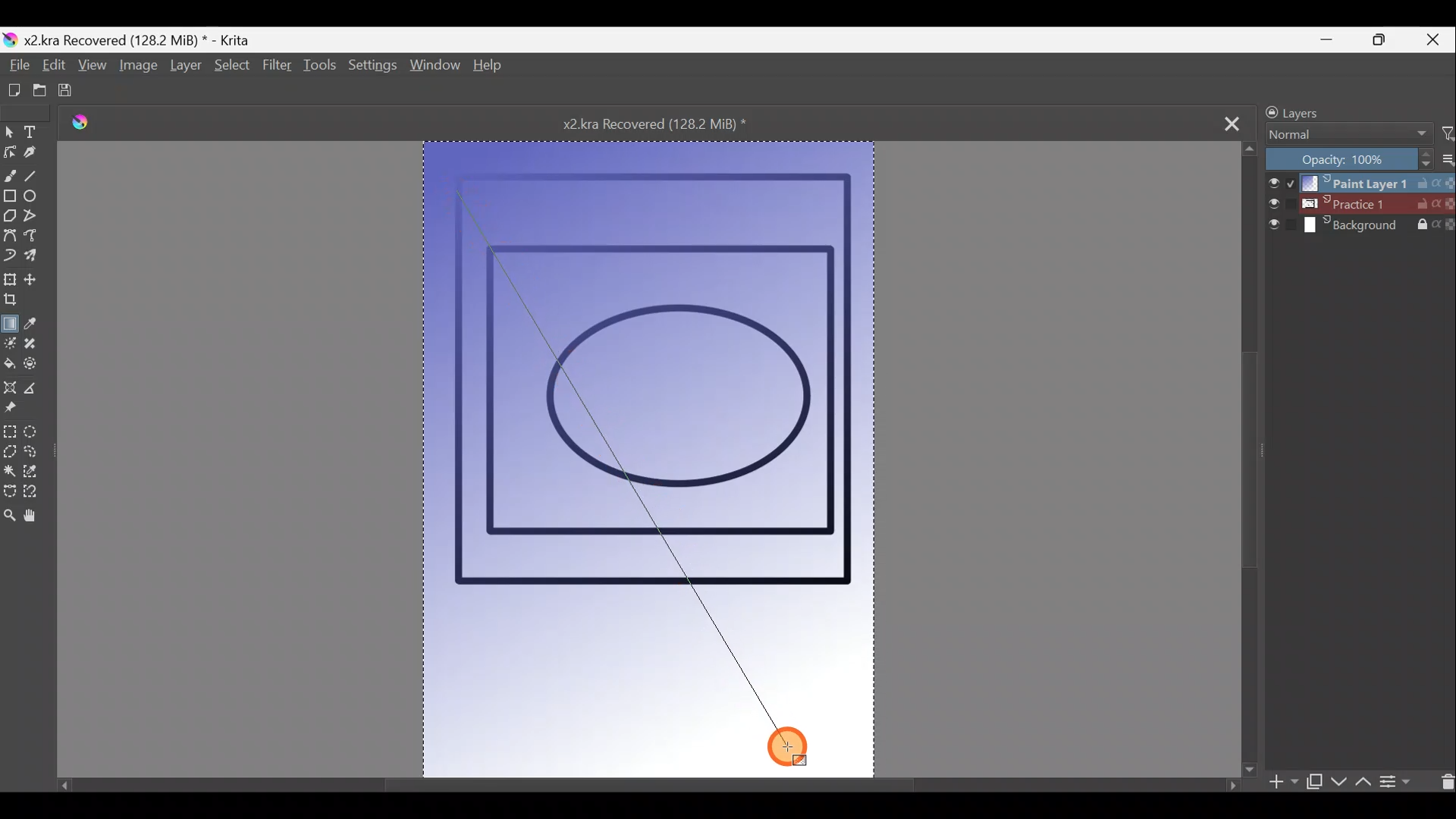  Describe the element at coordinates (1359, 158) in the screenshot. I see `Opacity level` at that location.